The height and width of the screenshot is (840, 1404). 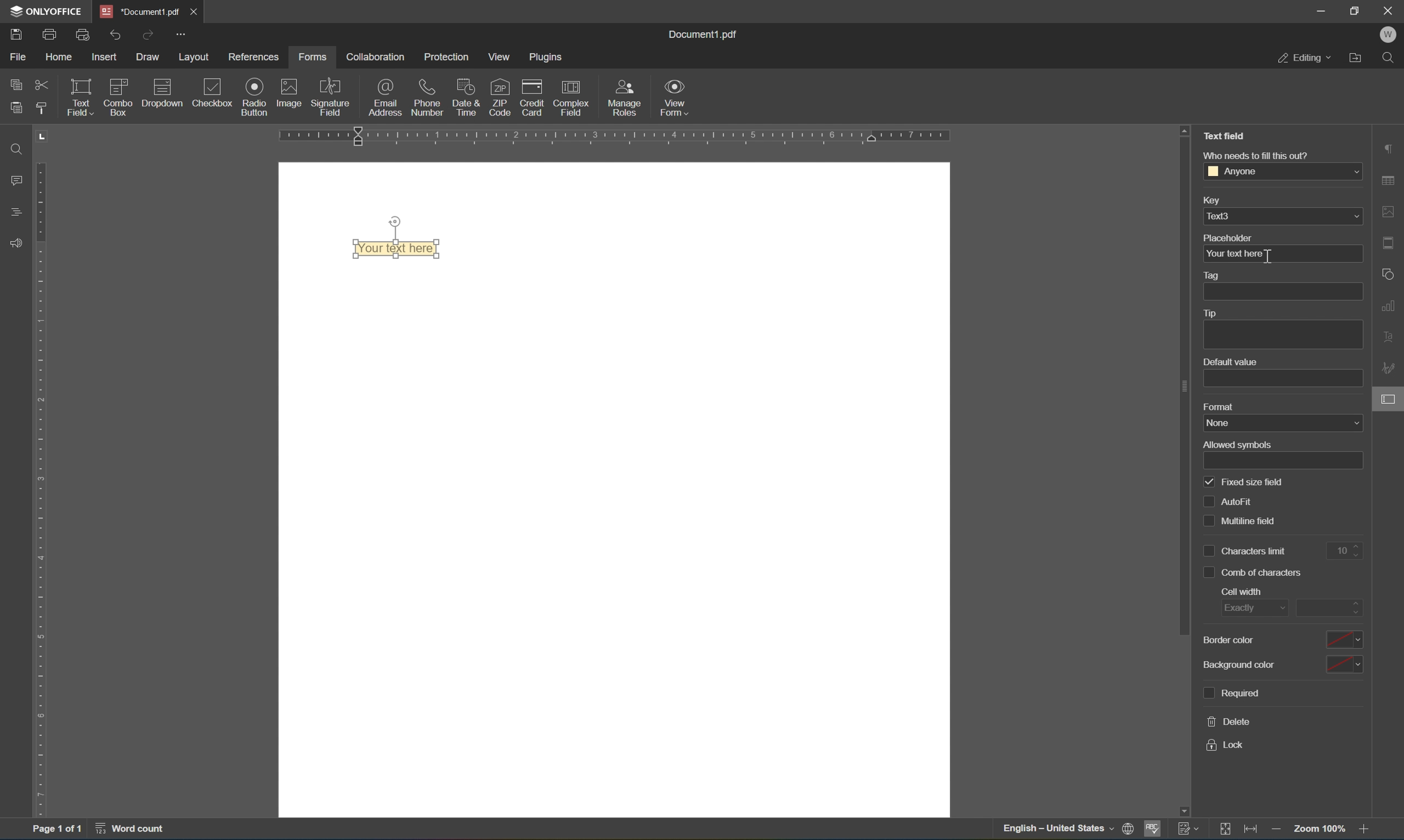 I want to click on feedback & support, so click(x=19, y=242).